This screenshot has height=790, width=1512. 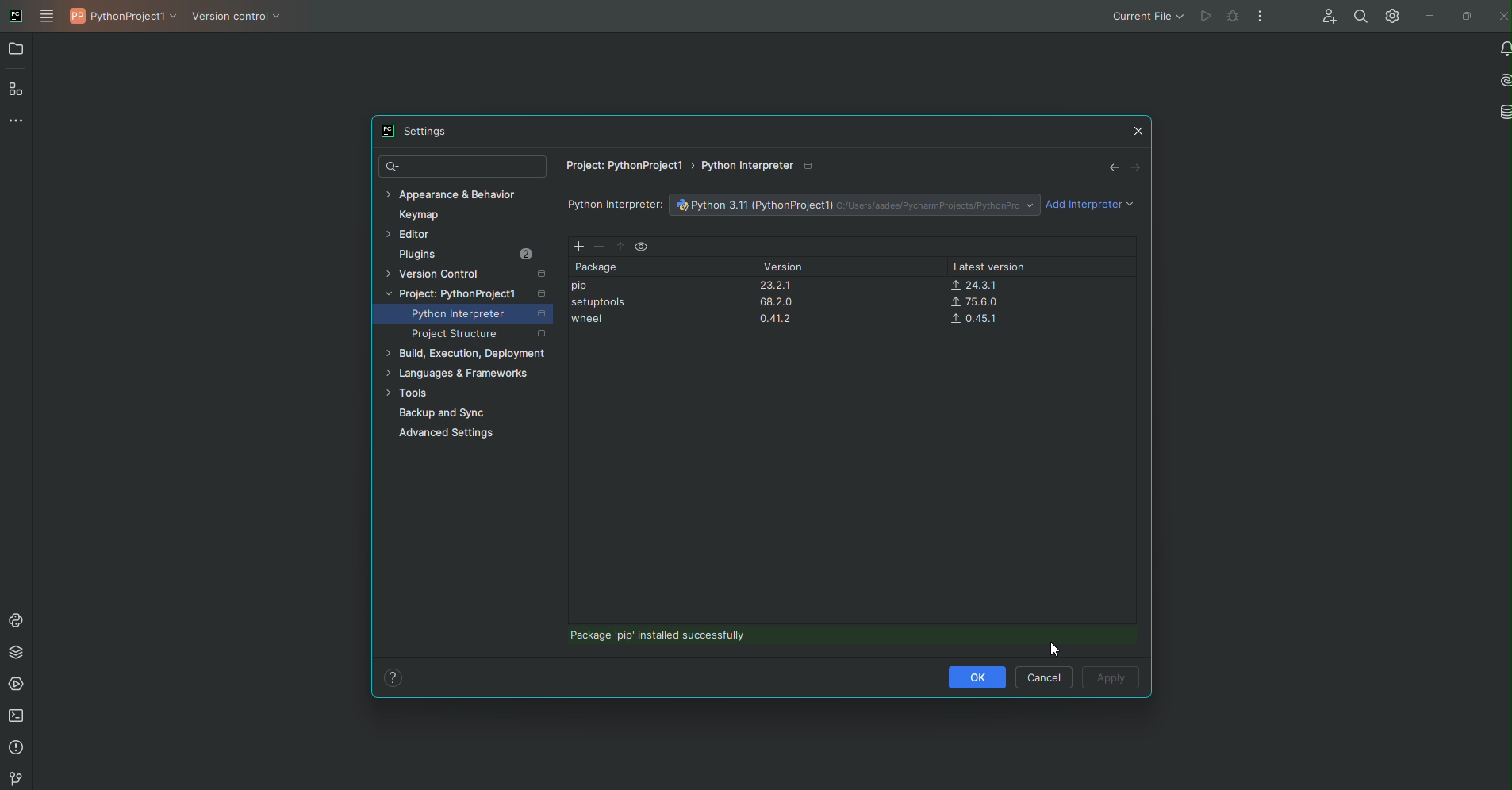 I want to click on Settings, so click(x=412, y=131).